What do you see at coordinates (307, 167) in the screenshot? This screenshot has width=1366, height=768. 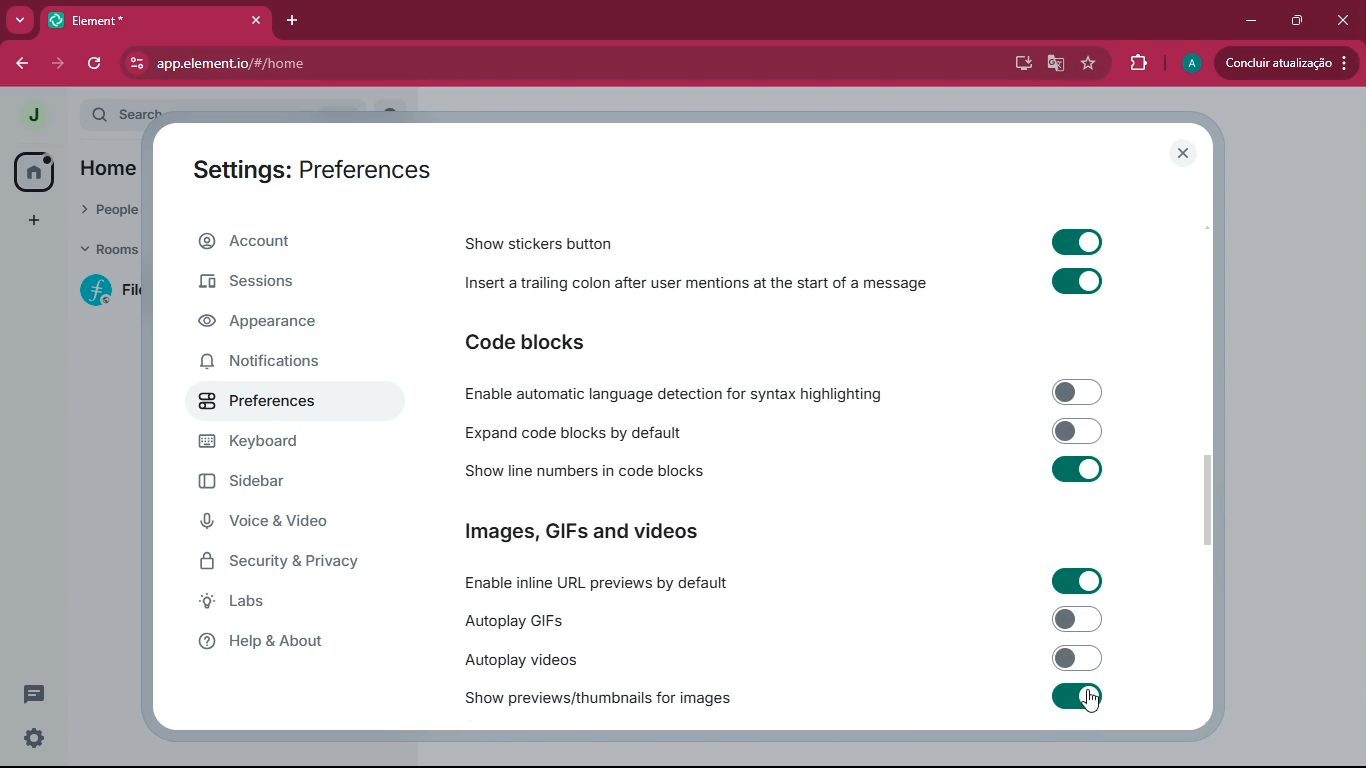 I see `Settings : Preferences` at bounding box center [307, 167].